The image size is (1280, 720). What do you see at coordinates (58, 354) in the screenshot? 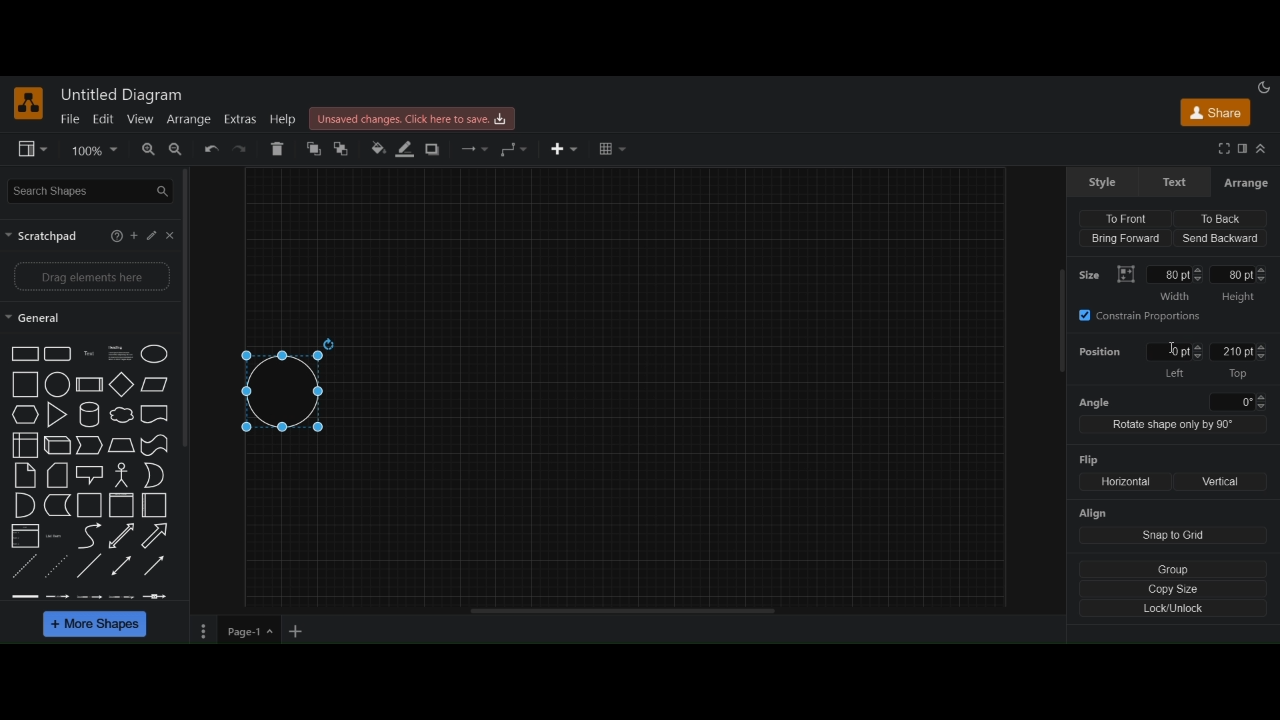
I see `rectangle` at bounding box center [58, 354].